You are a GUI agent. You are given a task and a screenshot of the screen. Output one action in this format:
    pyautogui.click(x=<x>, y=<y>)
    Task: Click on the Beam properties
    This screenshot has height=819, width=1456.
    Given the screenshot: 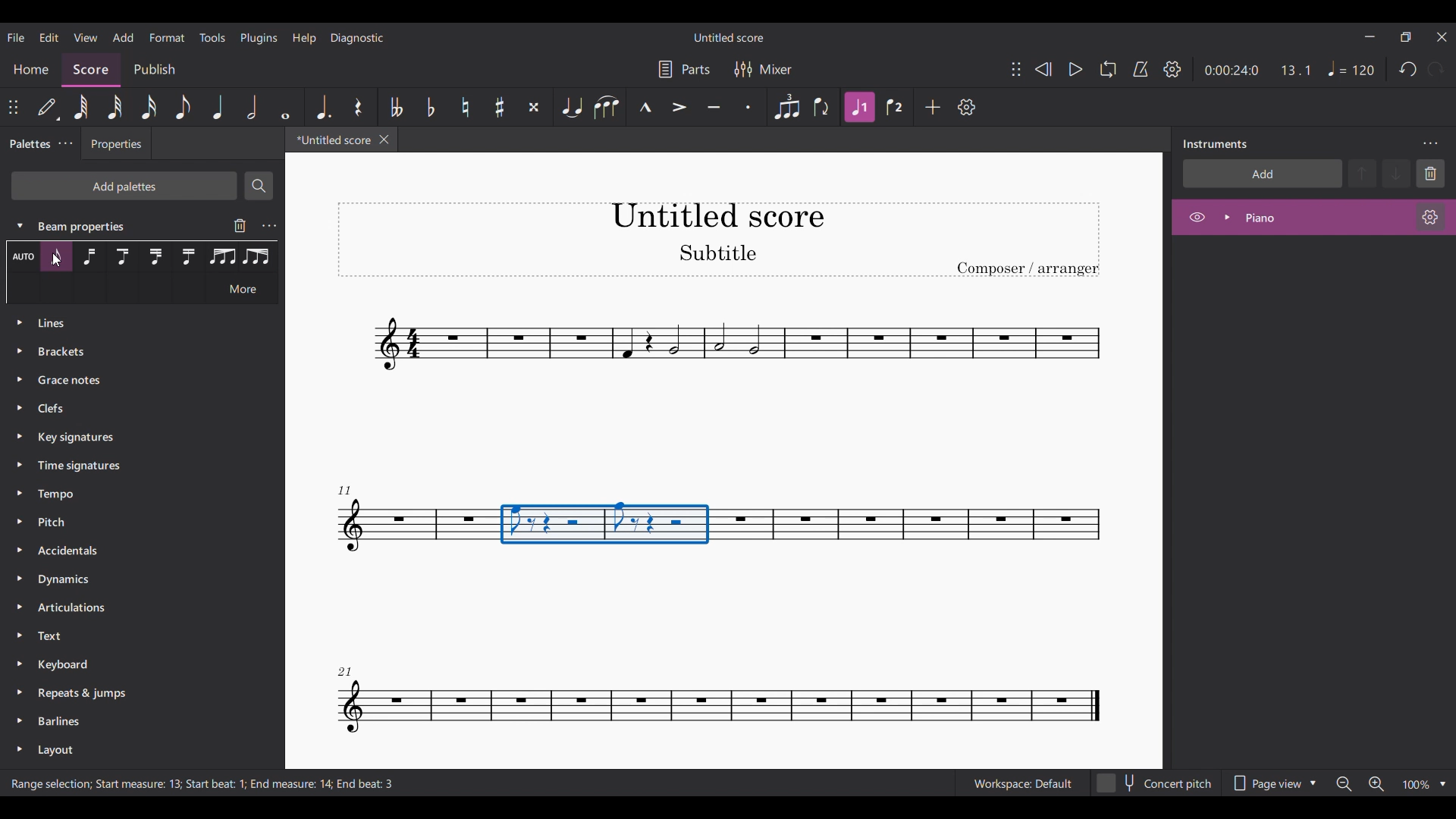 What is the action you would take?
    pyautogui.click(x=94, y=225)
    